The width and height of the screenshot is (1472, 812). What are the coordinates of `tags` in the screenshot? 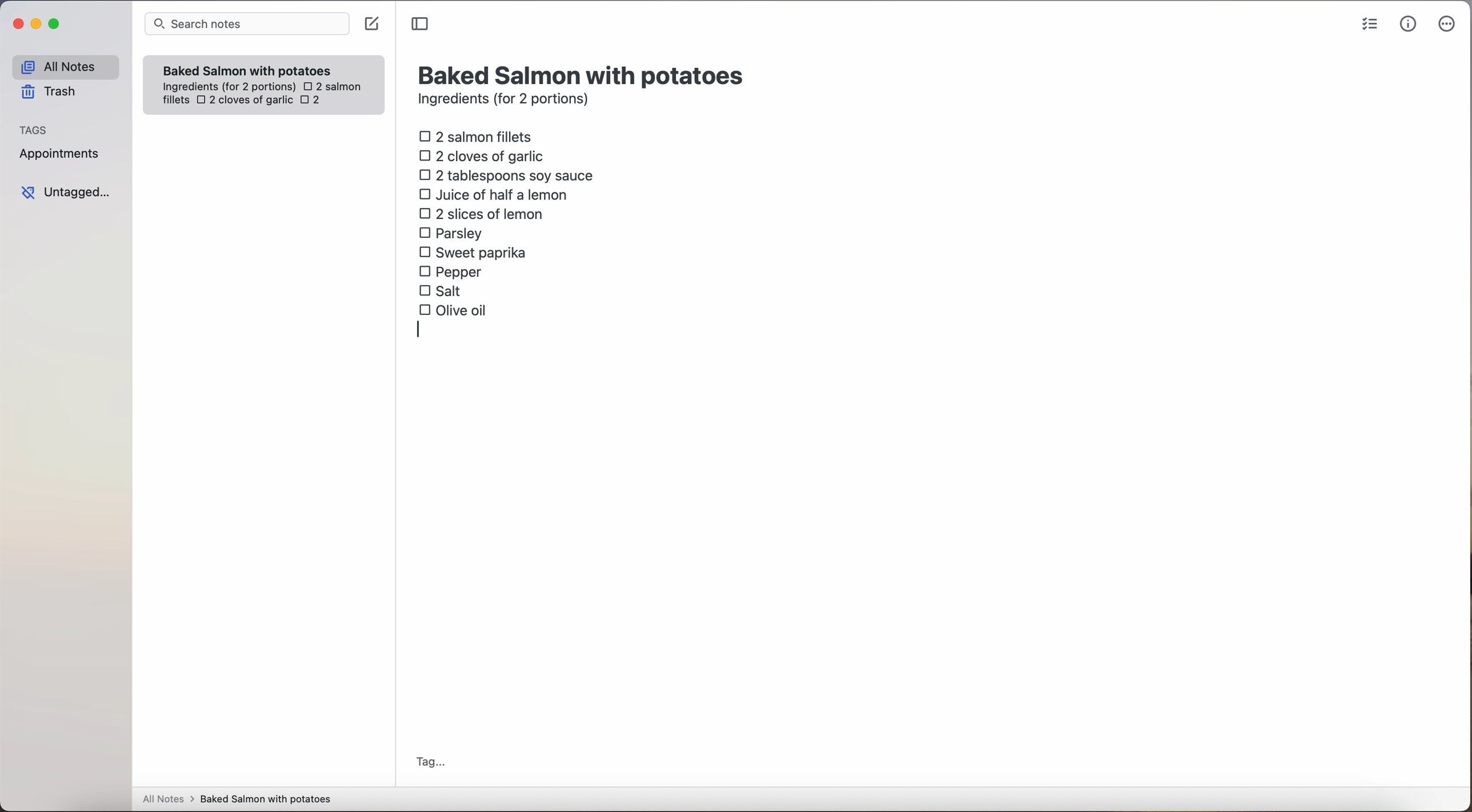 It's located at (34, 129).